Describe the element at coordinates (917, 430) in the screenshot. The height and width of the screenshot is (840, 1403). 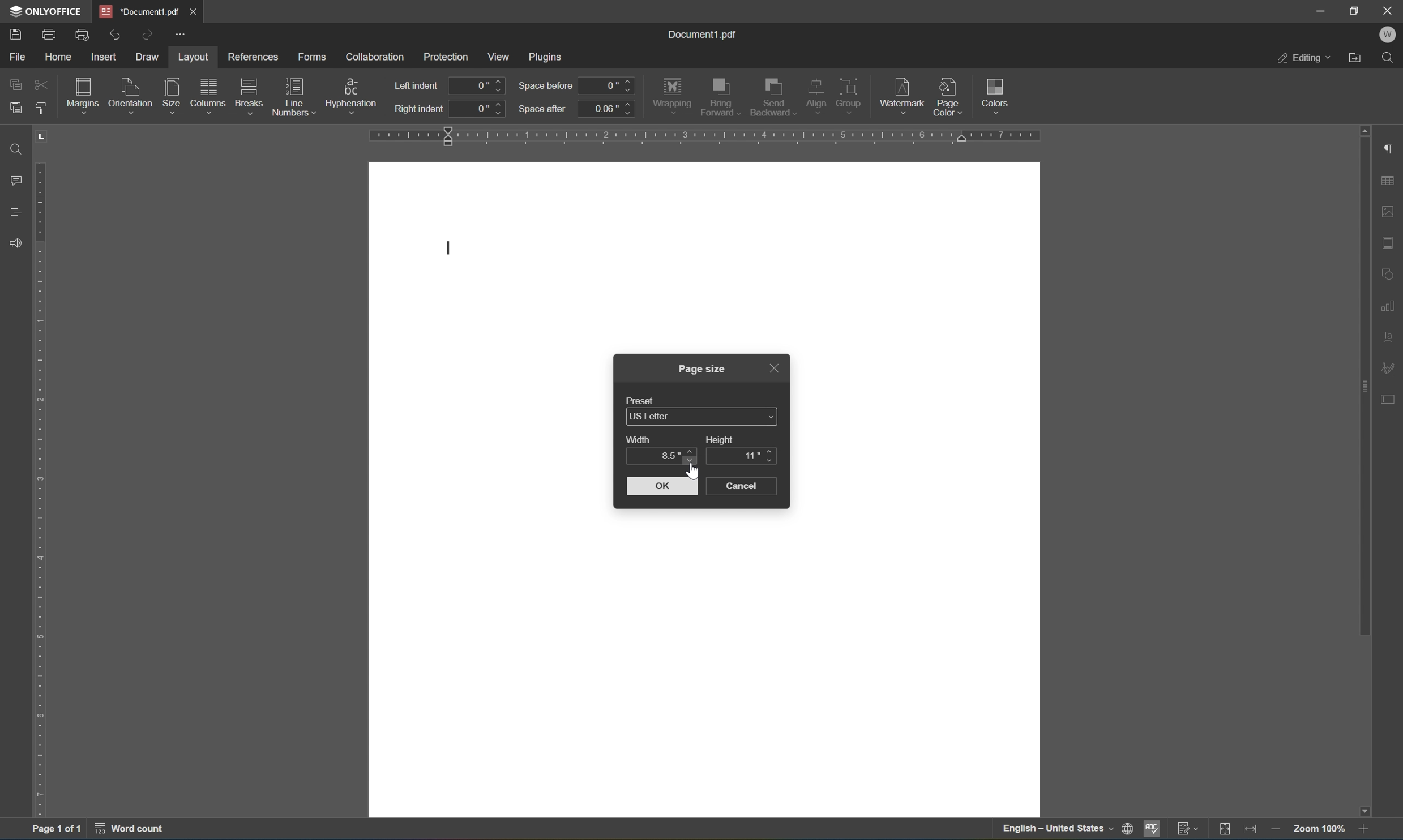
I see `workspace` at that location.